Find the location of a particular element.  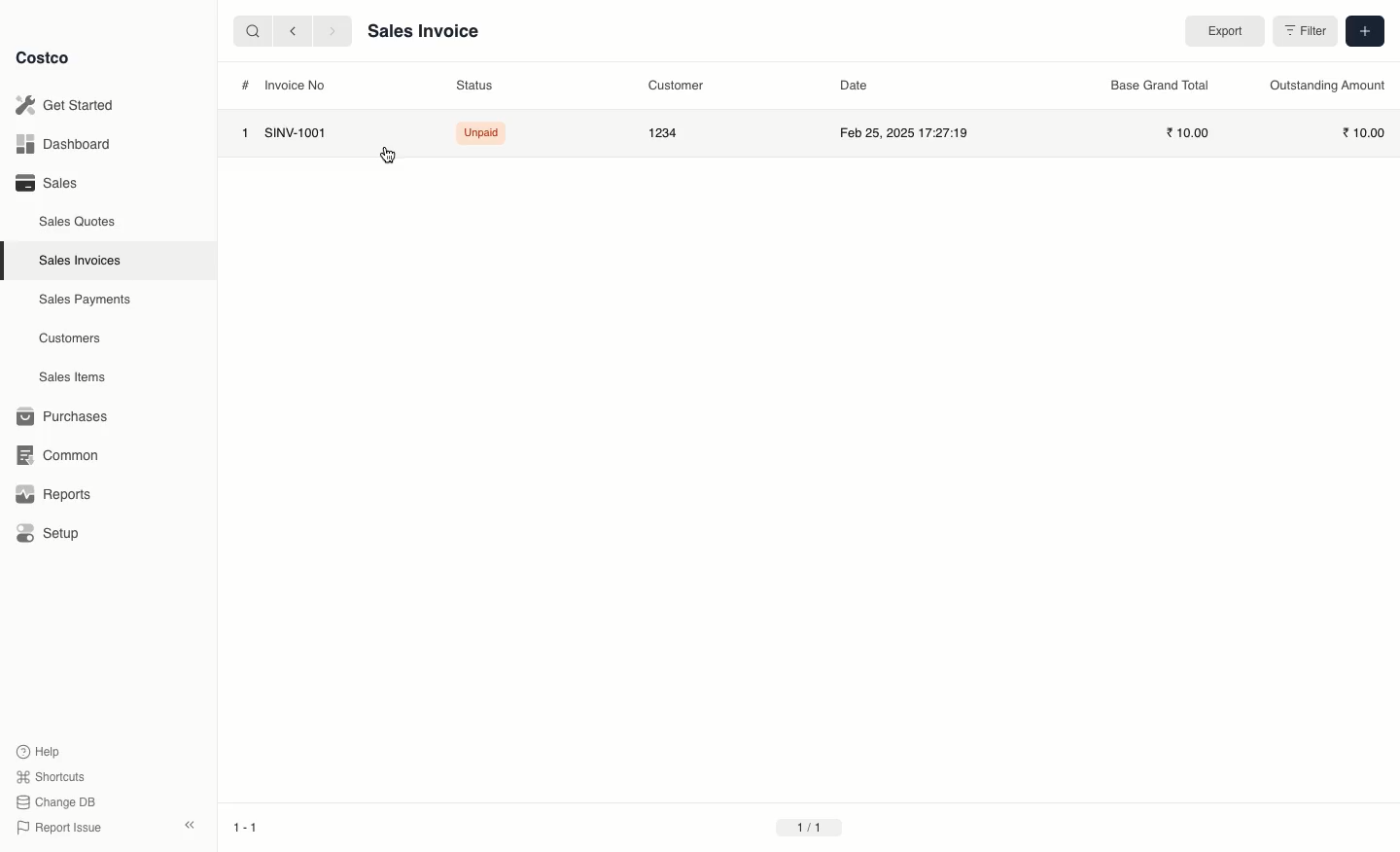

Sales Quotes is located at coordinates (75, 223).